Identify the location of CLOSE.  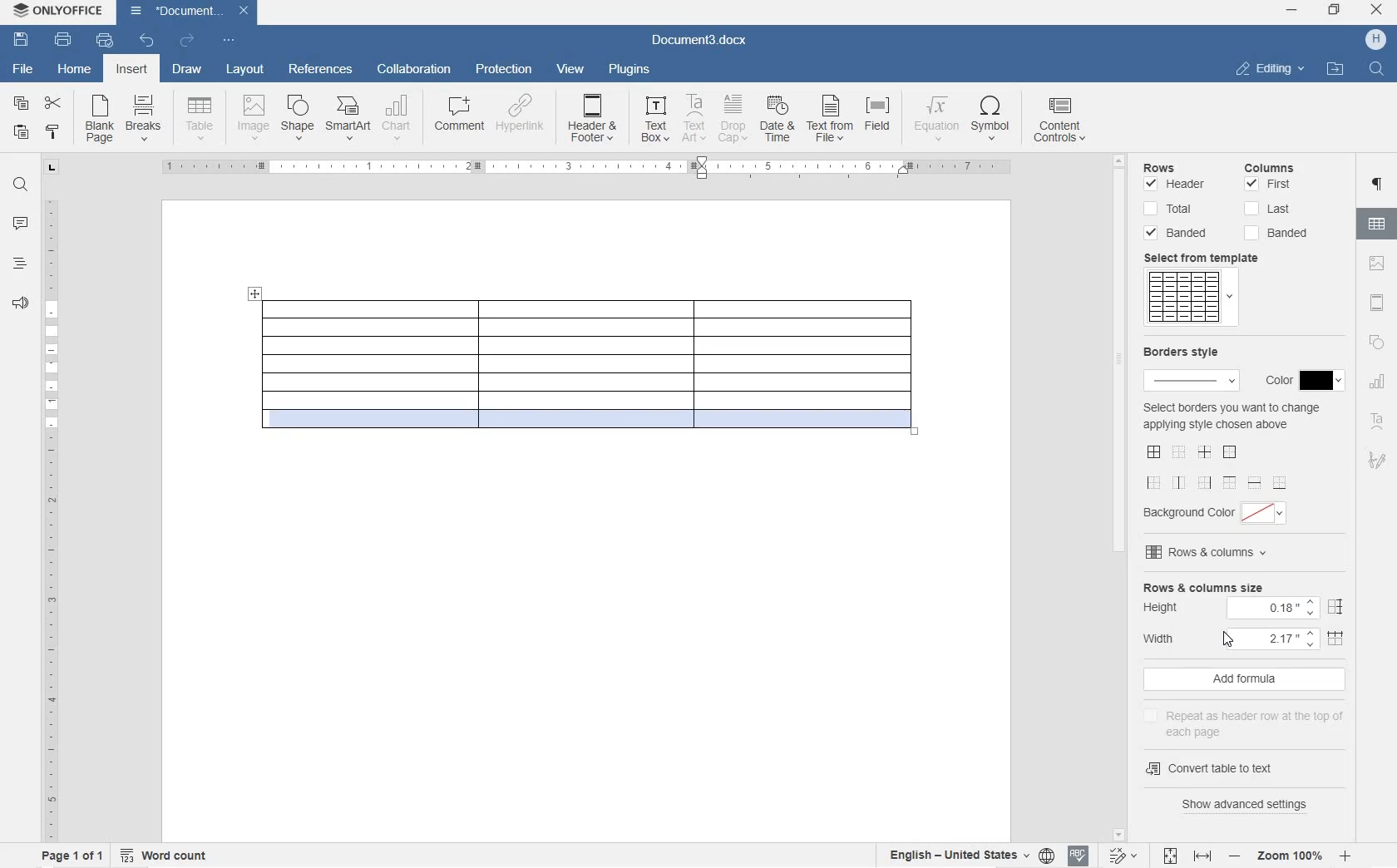
(1377, 9).